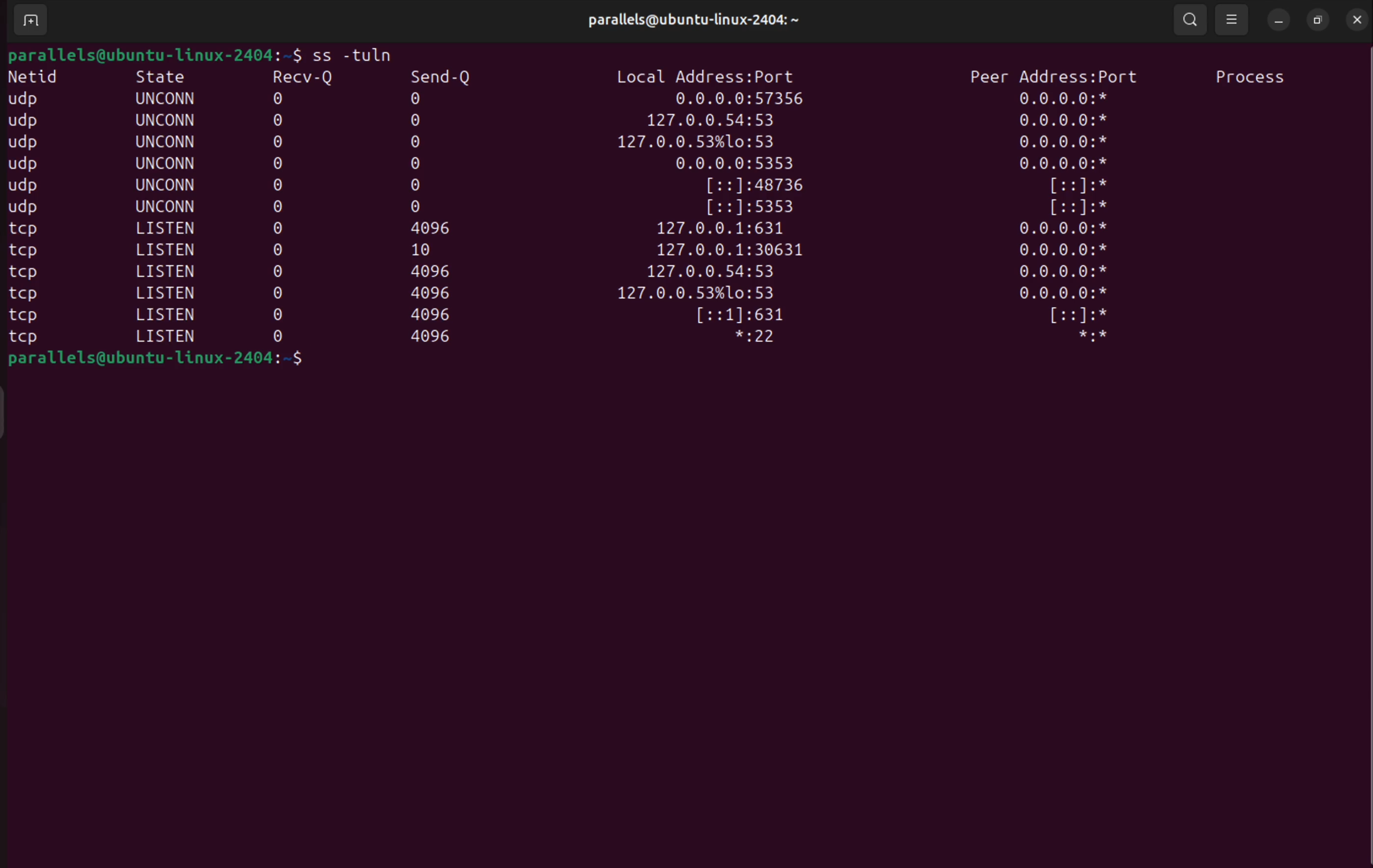 The height and width of the screenshot is (868, 1373). What do you see at coordinates (279, 337) in the screenshot?
I see `` at bounding box center [279, 337].